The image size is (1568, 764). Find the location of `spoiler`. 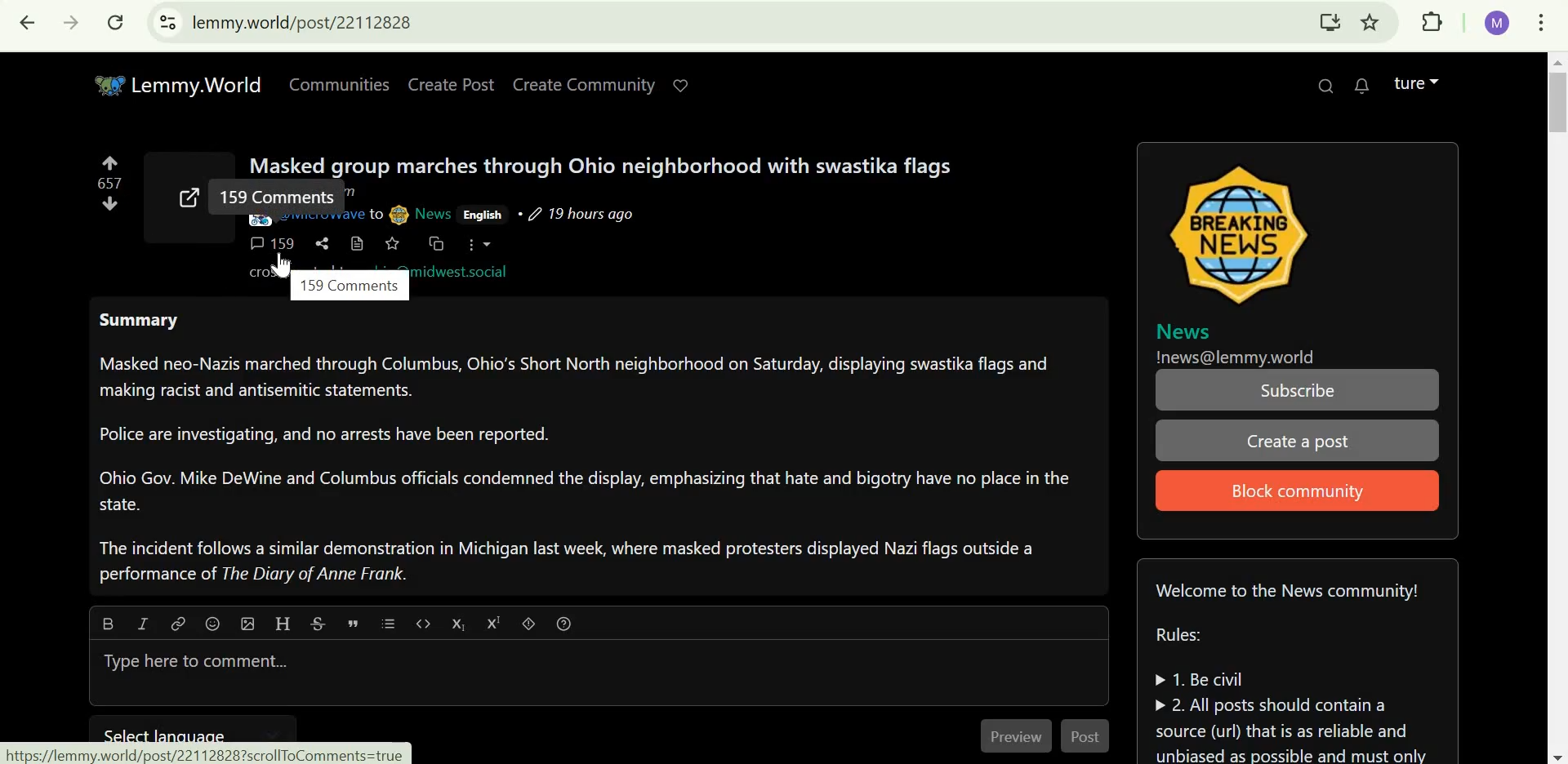

spoiler is located at coordinates (528, 624).